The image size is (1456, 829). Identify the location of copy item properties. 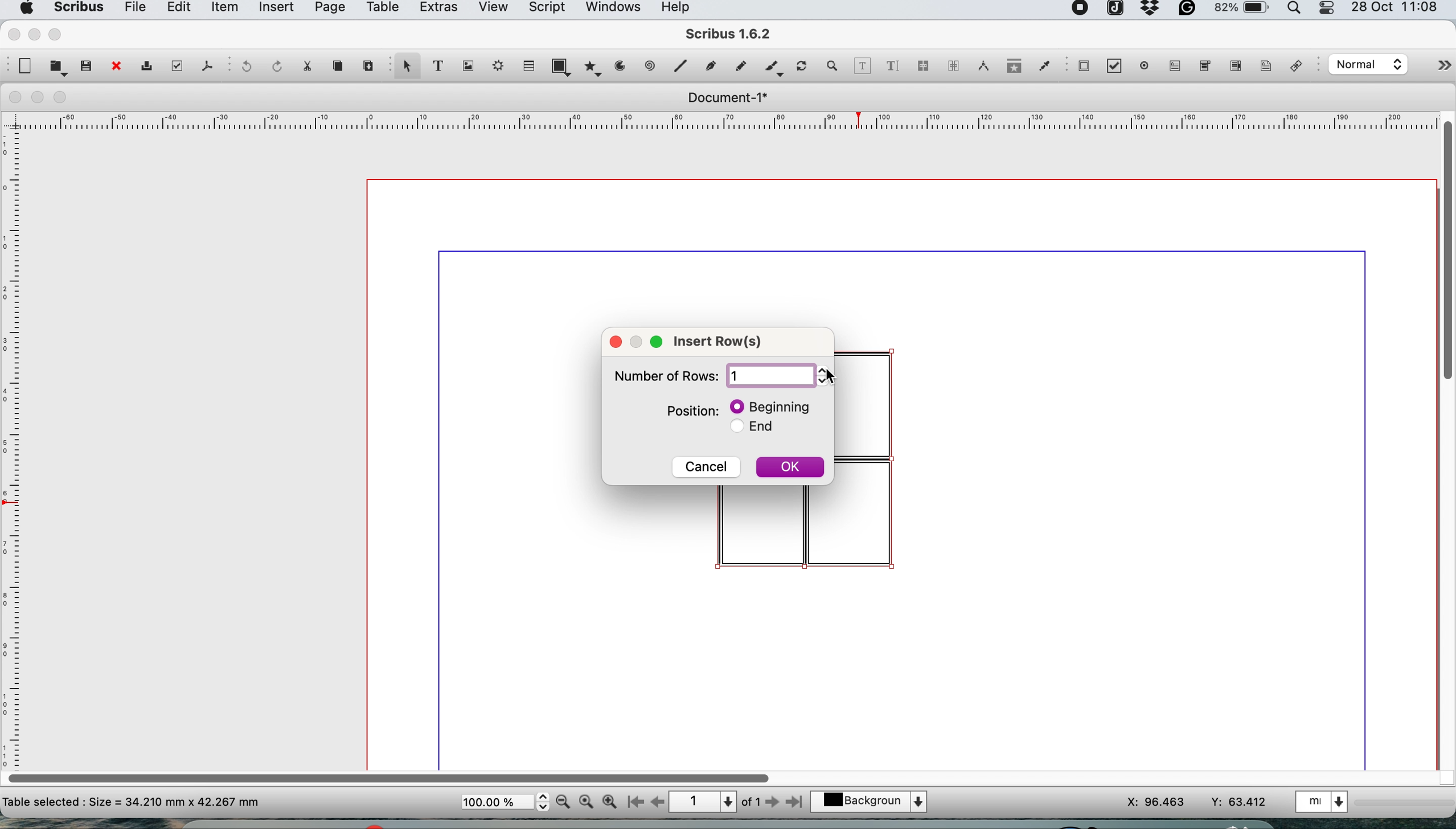
(1011, 69).